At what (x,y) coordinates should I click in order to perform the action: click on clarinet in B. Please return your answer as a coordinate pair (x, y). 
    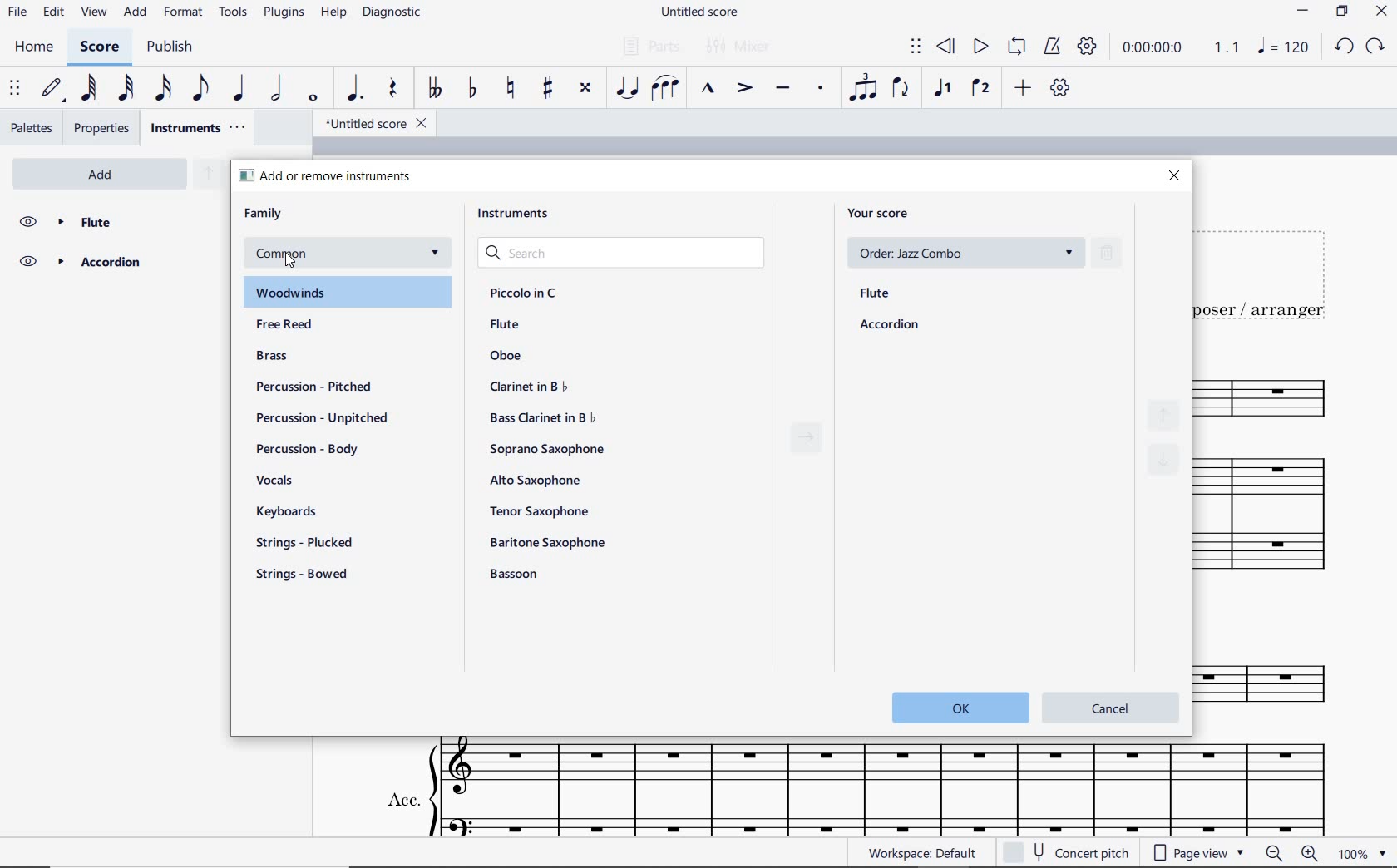
    Looking at the image, I should click on (528, 387).